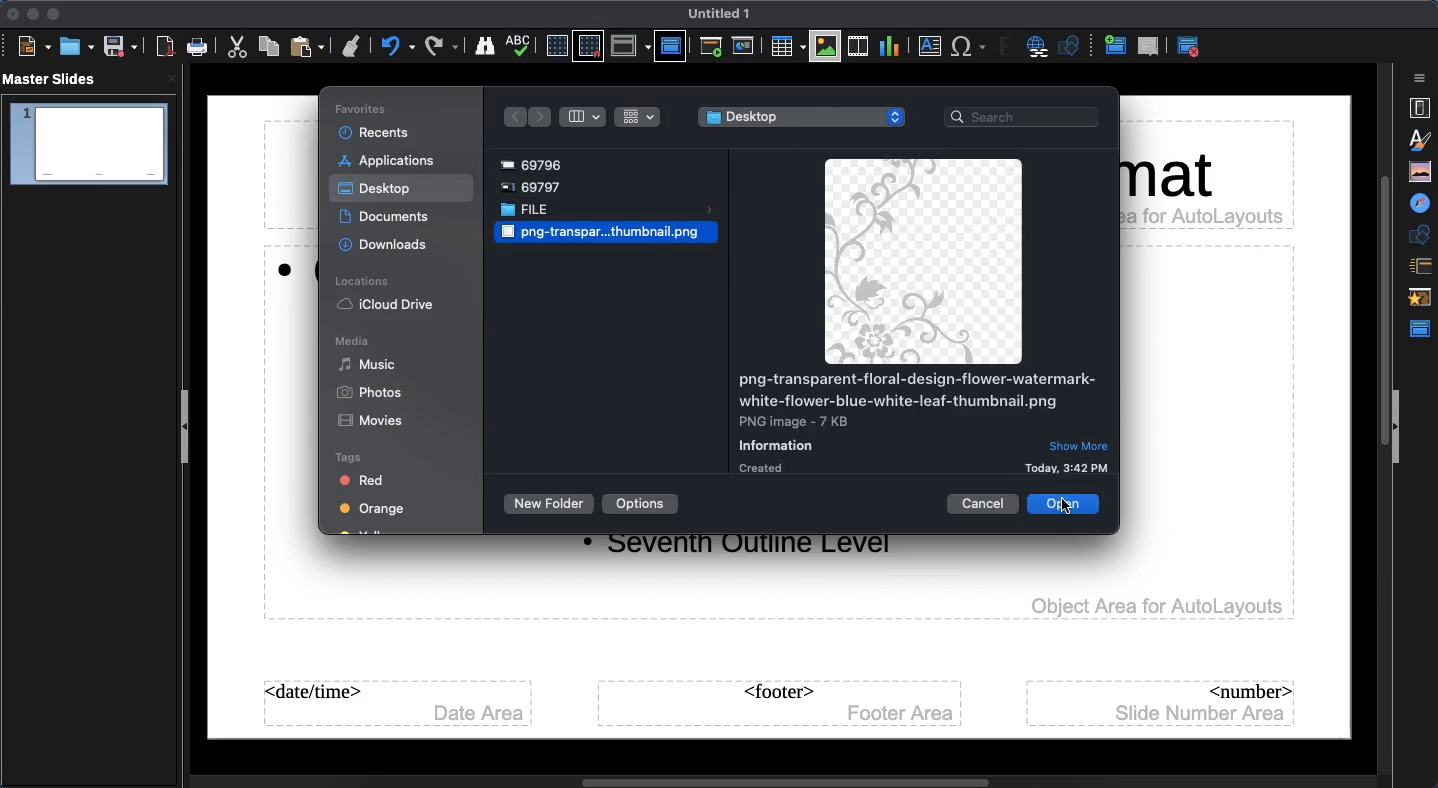 The height and width of the screenshot is (788, 1438). I want to click on Back, so click(511, 117).